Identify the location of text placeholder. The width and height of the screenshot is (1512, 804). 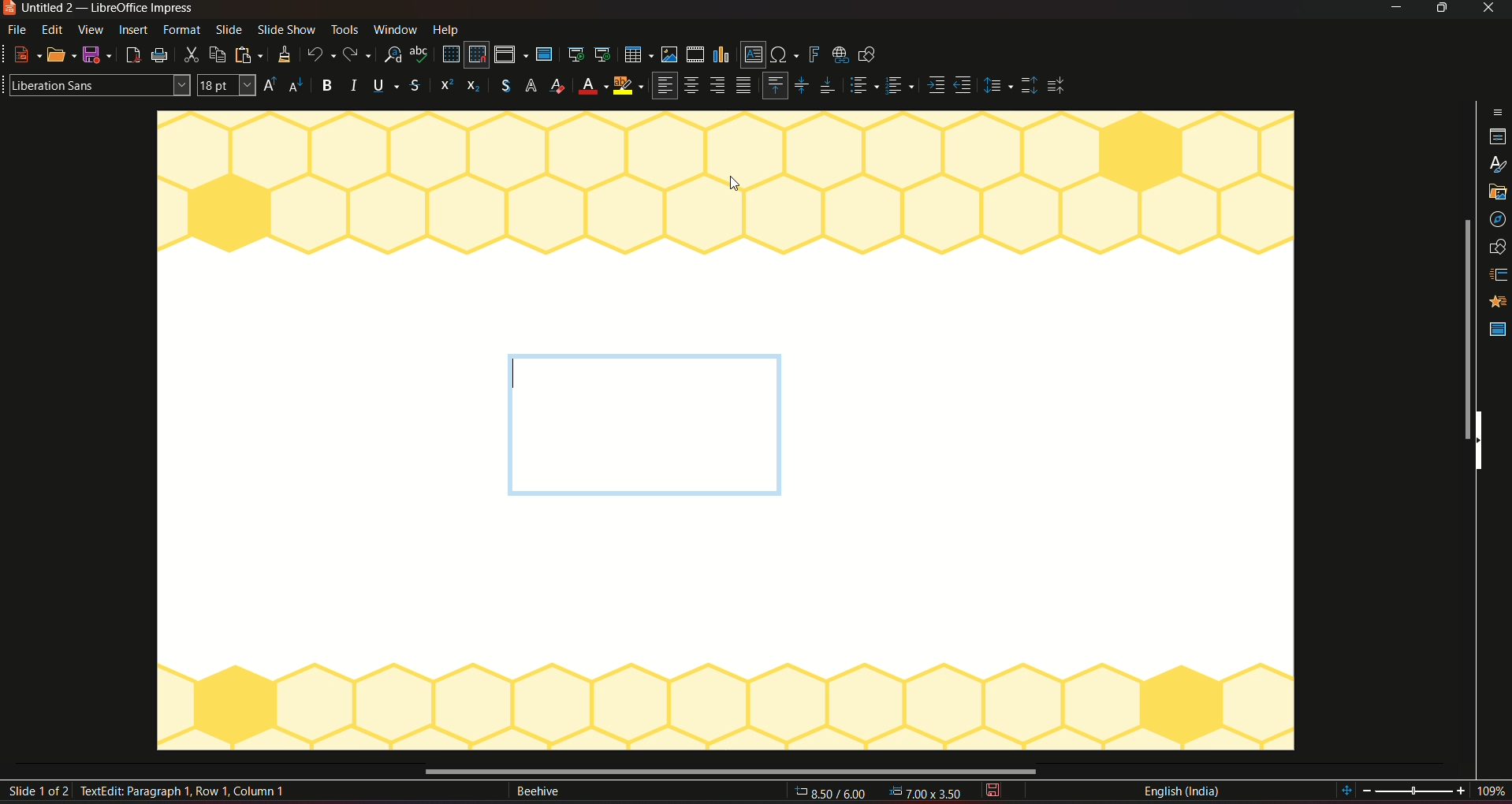
(642, 425).